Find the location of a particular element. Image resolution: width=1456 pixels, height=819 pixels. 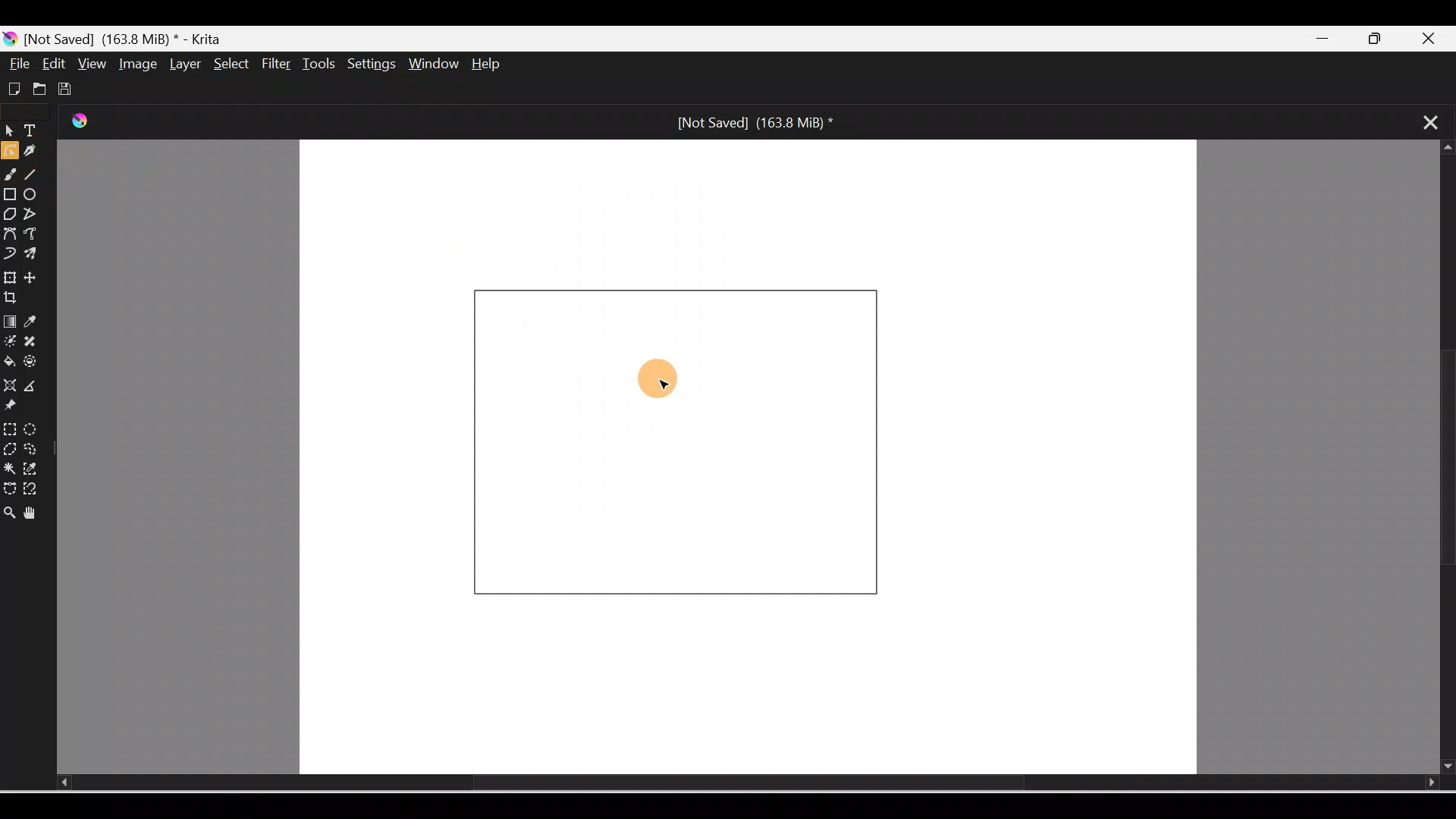

Dynamic brush tool is located at coordinates (9, 252).